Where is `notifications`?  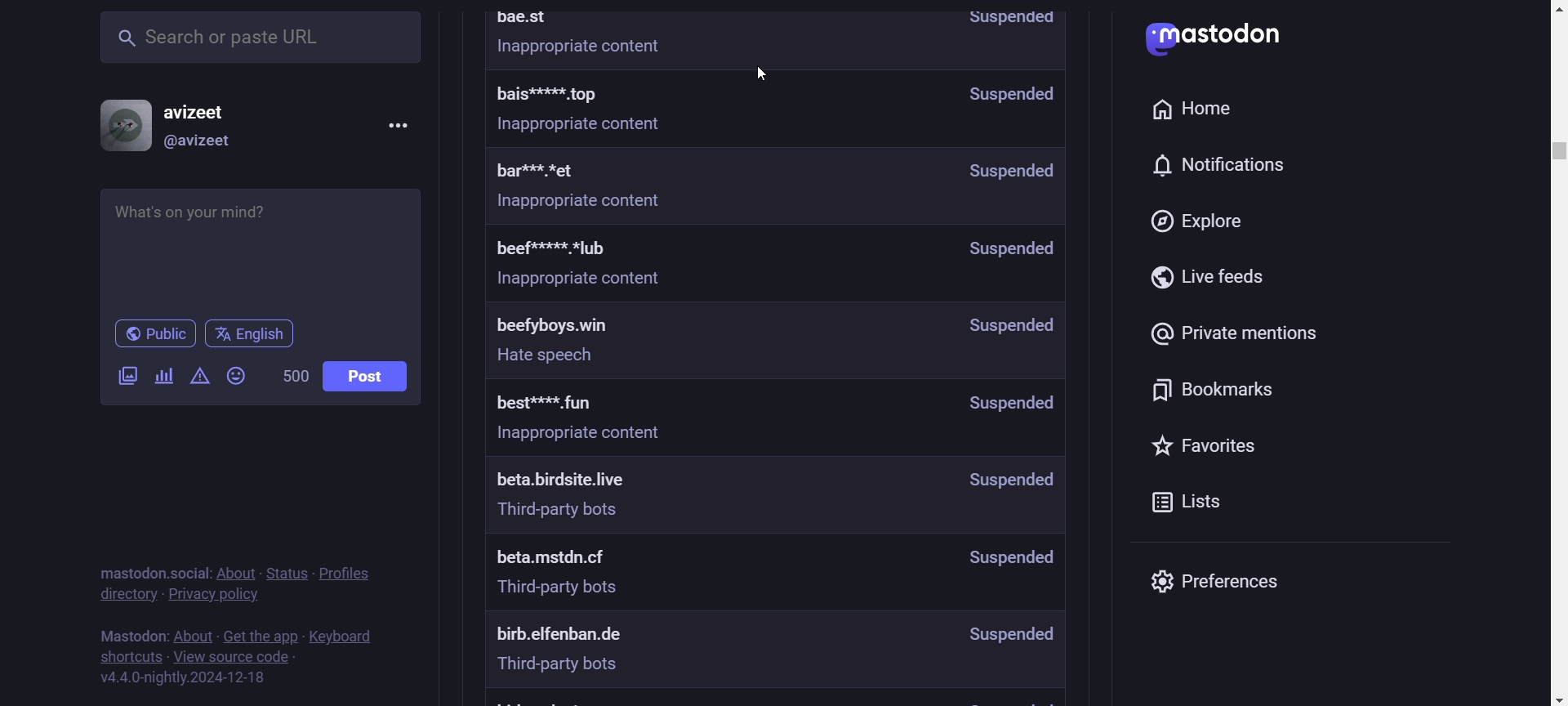 notifications is located at coordinates (1225, 165).